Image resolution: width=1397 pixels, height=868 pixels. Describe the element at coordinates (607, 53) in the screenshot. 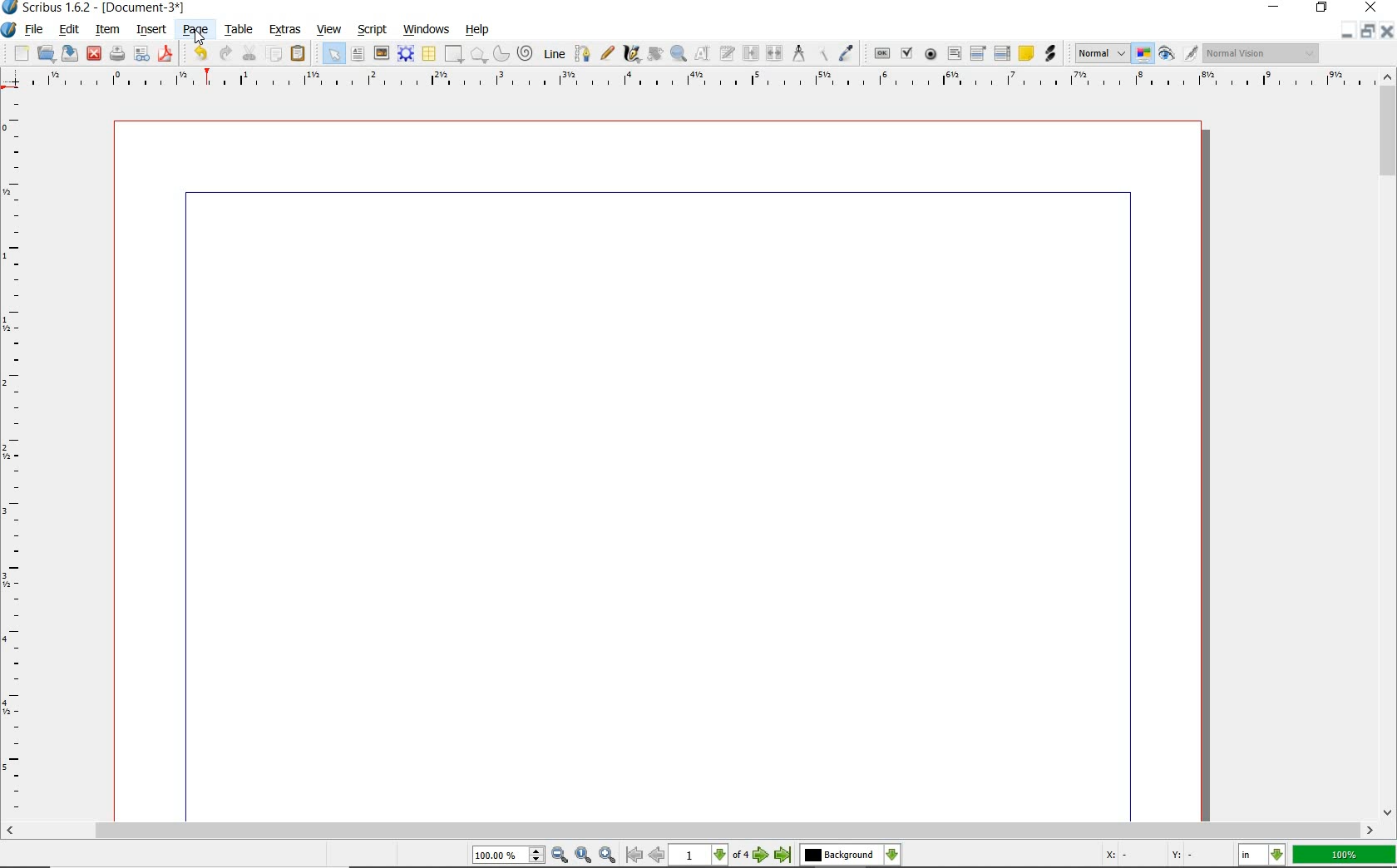

I see `freehand line` at that location.